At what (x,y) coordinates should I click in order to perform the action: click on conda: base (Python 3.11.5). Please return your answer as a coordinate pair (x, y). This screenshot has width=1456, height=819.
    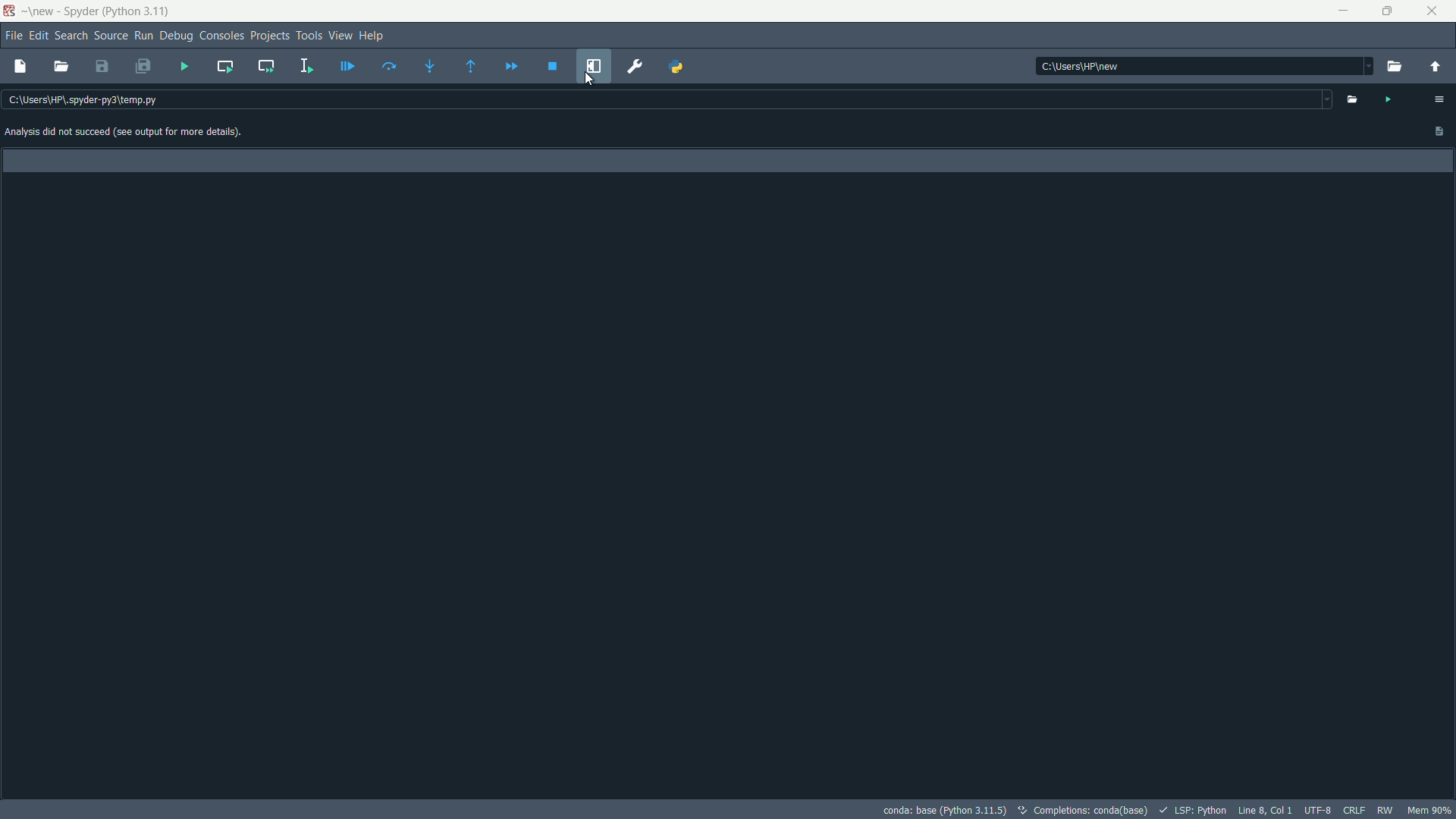
    Looking at the image, I should click on (945, 808).